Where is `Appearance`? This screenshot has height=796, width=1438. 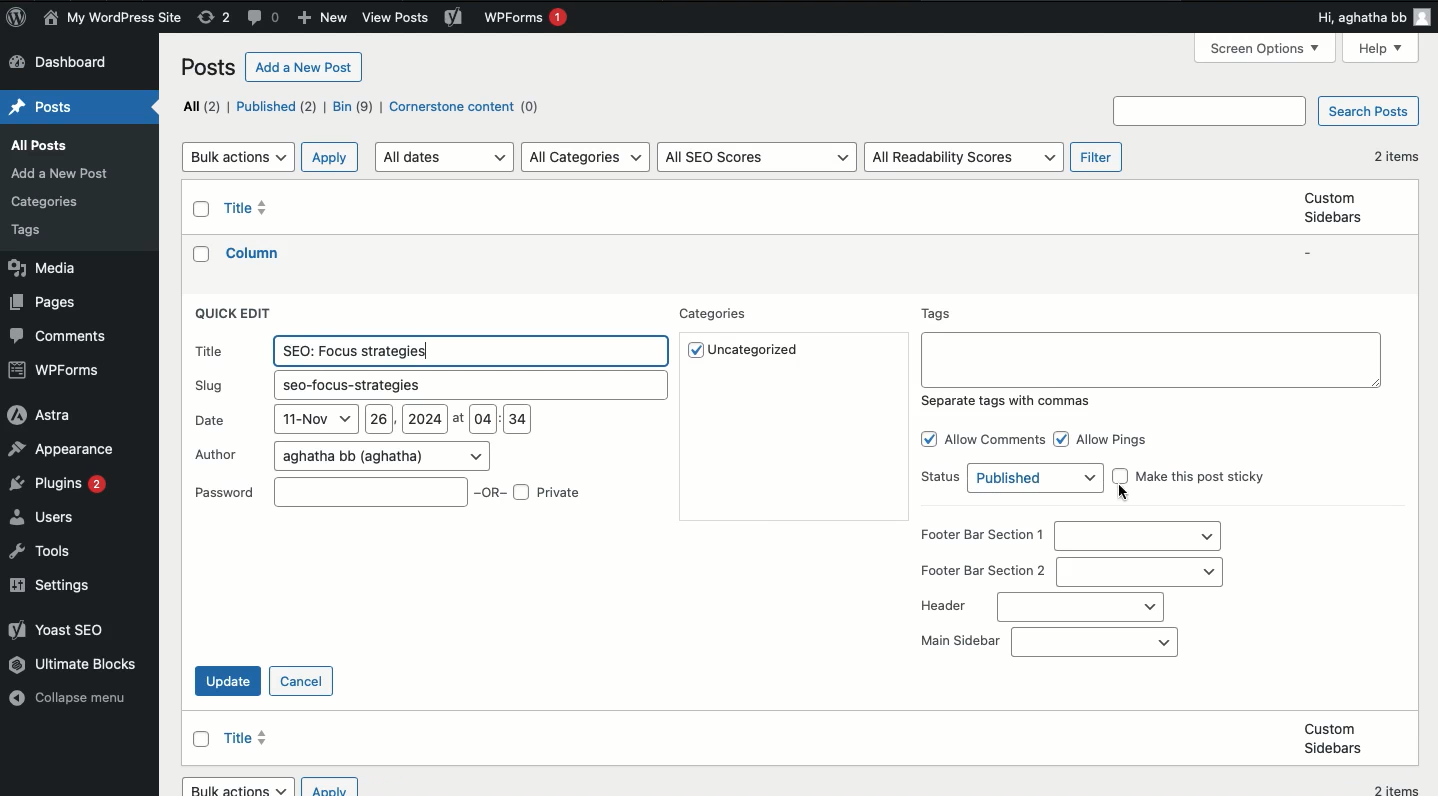
Appearance is located at coordinates (61, 450).